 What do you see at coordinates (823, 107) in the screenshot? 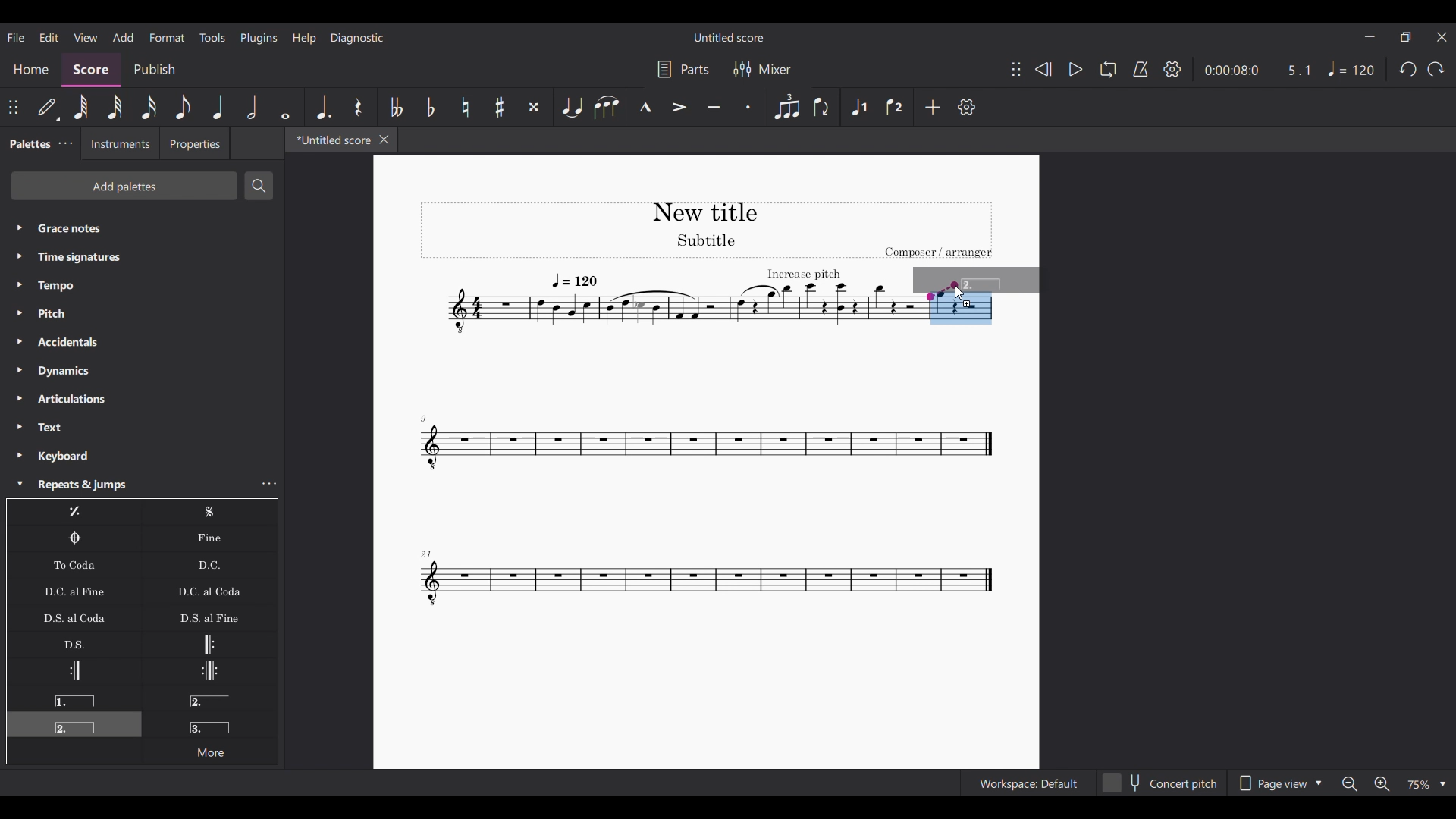
I see `Flip direction` at bounding box center [823, 107].